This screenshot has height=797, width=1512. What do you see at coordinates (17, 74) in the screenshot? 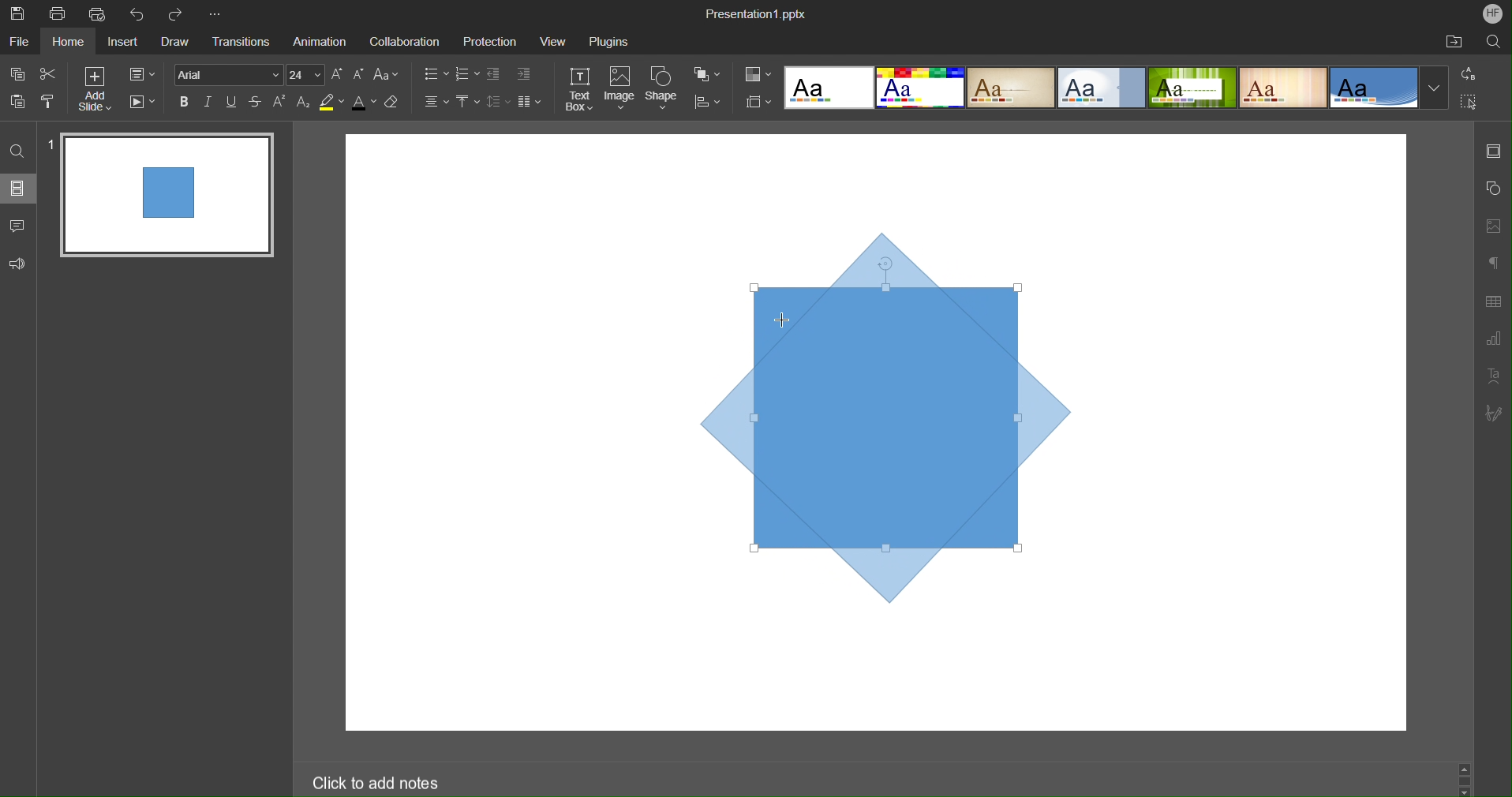
I see `Copy` at bounding box center [17, 74].